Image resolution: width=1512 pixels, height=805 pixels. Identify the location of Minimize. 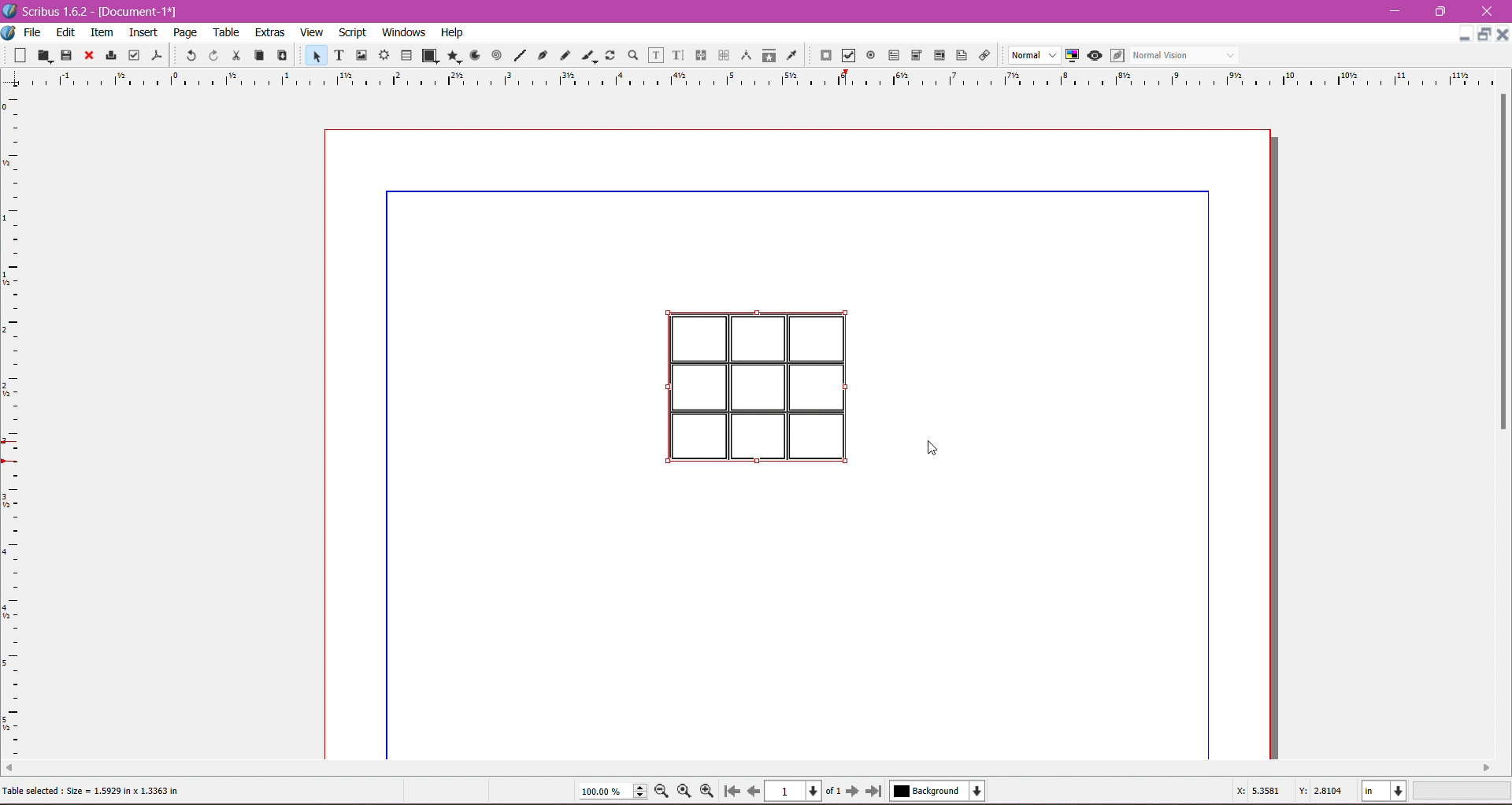
(1399, 9).